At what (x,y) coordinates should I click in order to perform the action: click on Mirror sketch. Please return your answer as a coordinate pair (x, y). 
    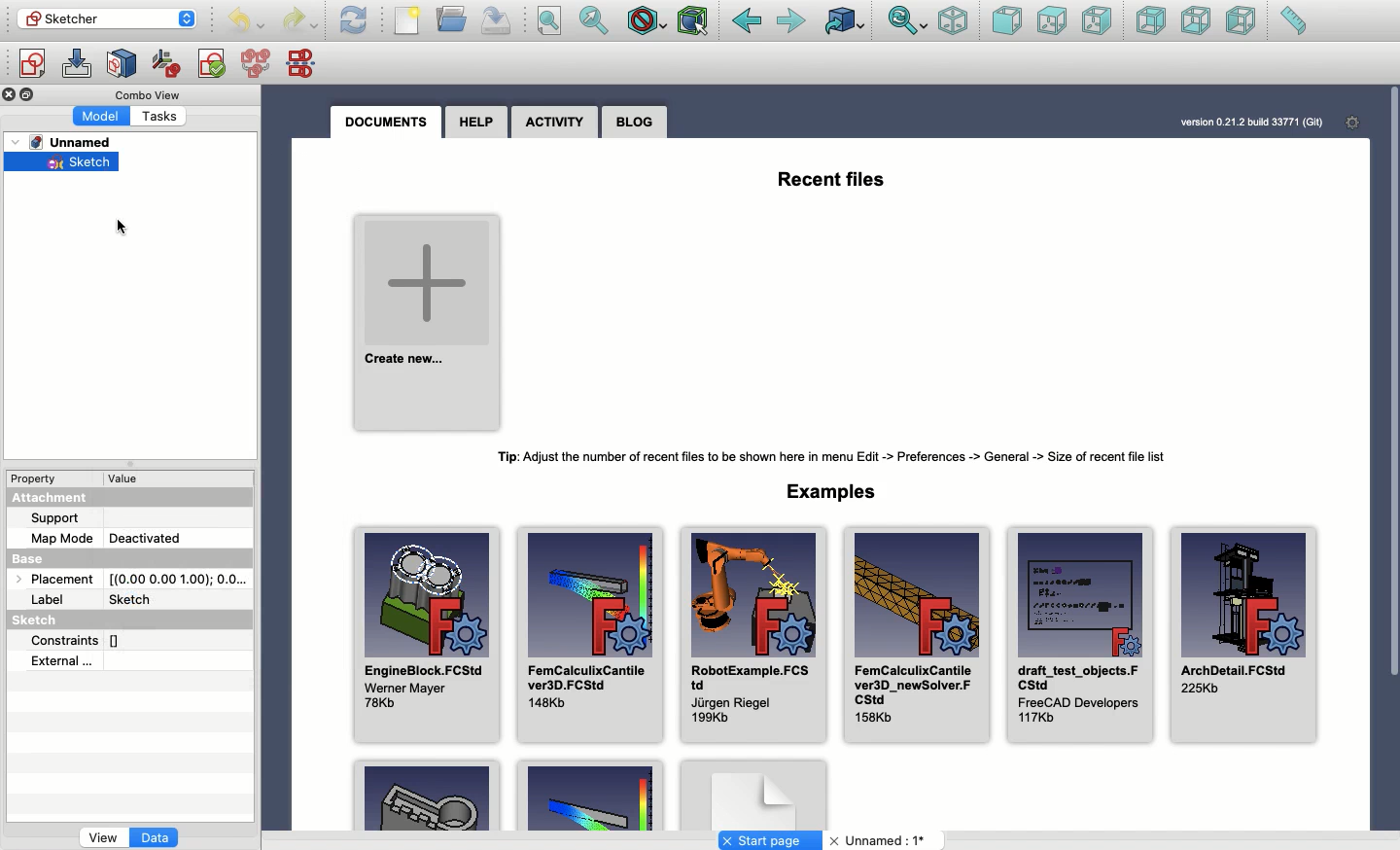
    Looking at the image, I should click on (305, 62).